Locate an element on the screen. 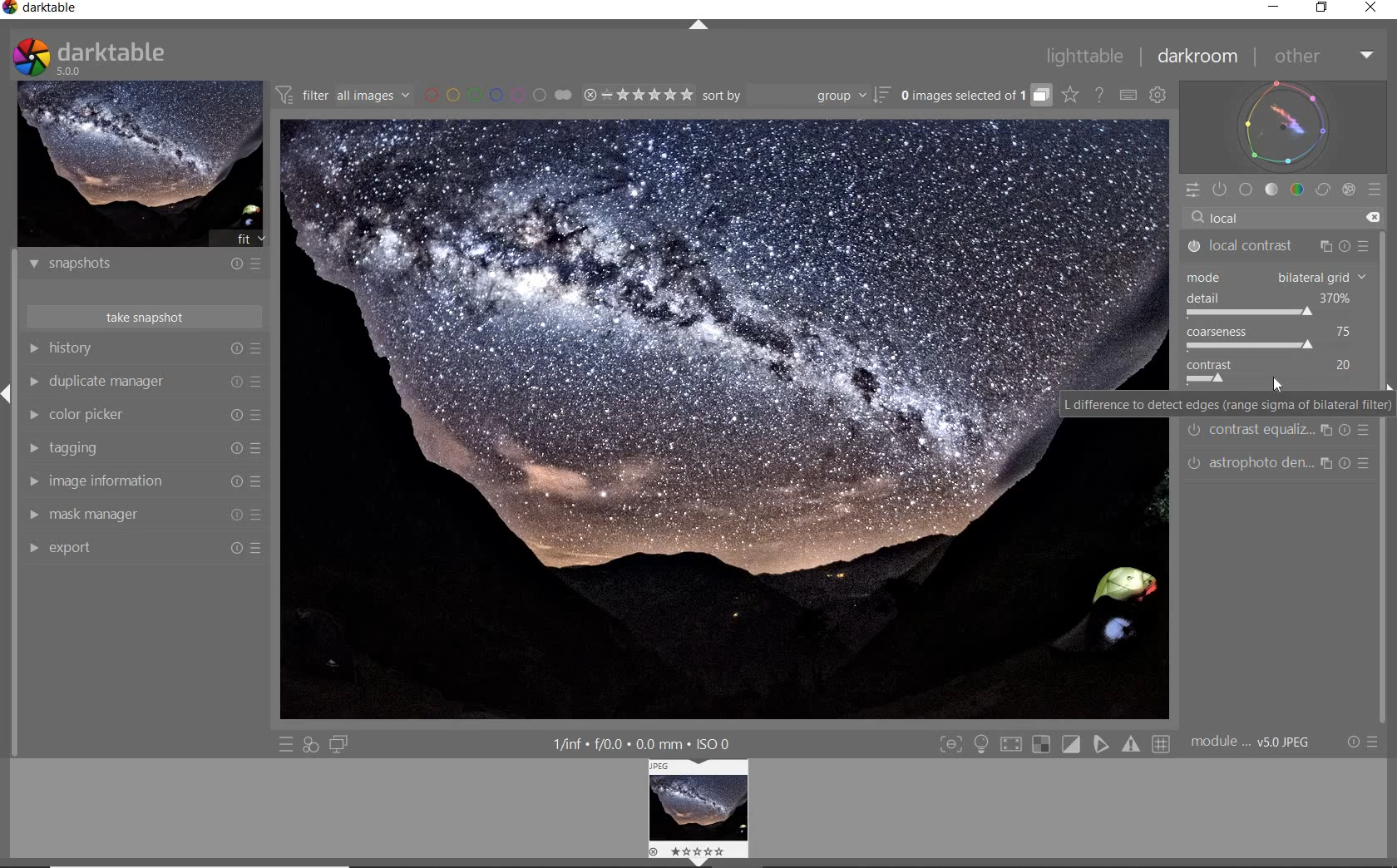 This screenshot has height=868, width=1397. L difference to detect edges (range sigma of bilateral filter) is located at coordinates (1227, 402).